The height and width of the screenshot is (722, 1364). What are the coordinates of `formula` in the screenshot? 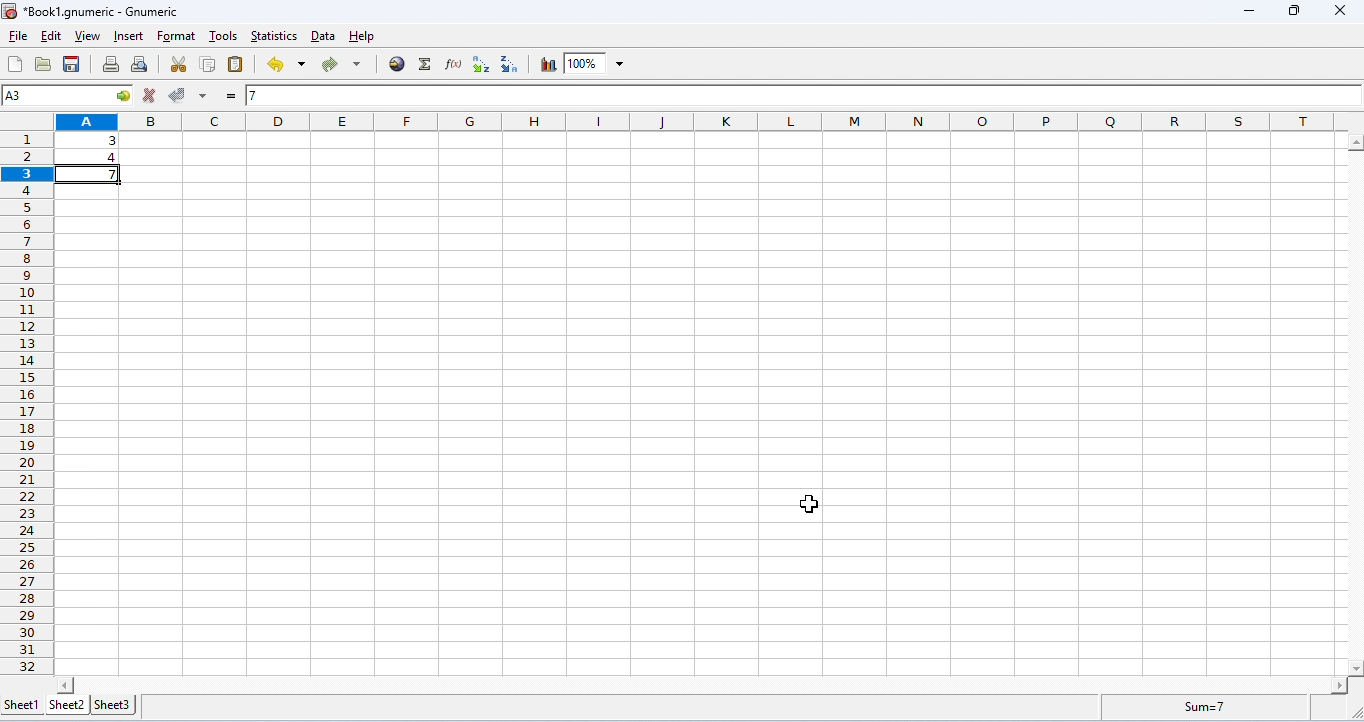 It's located at (1196, 707).